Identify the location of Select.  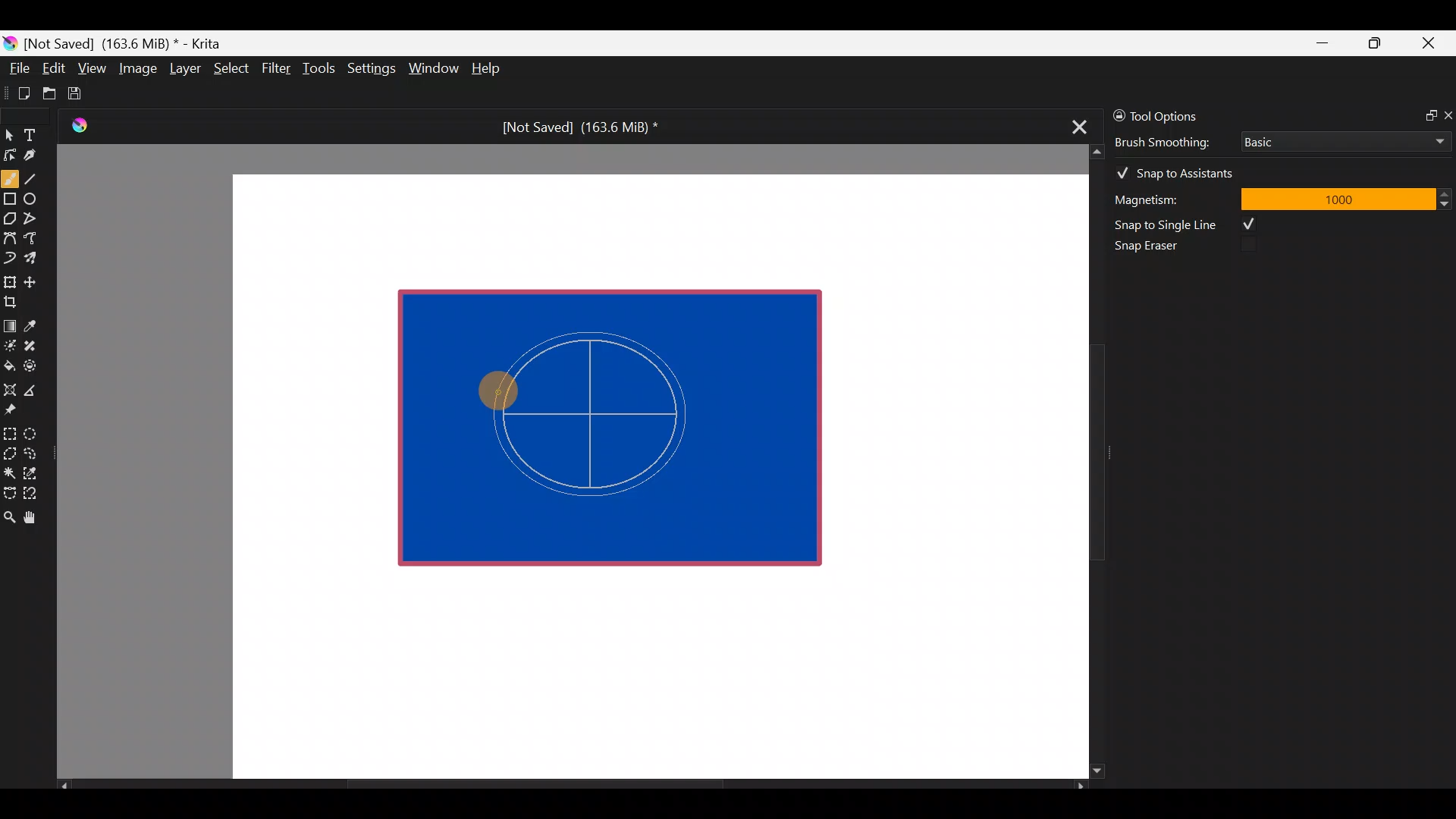
(232, 67).